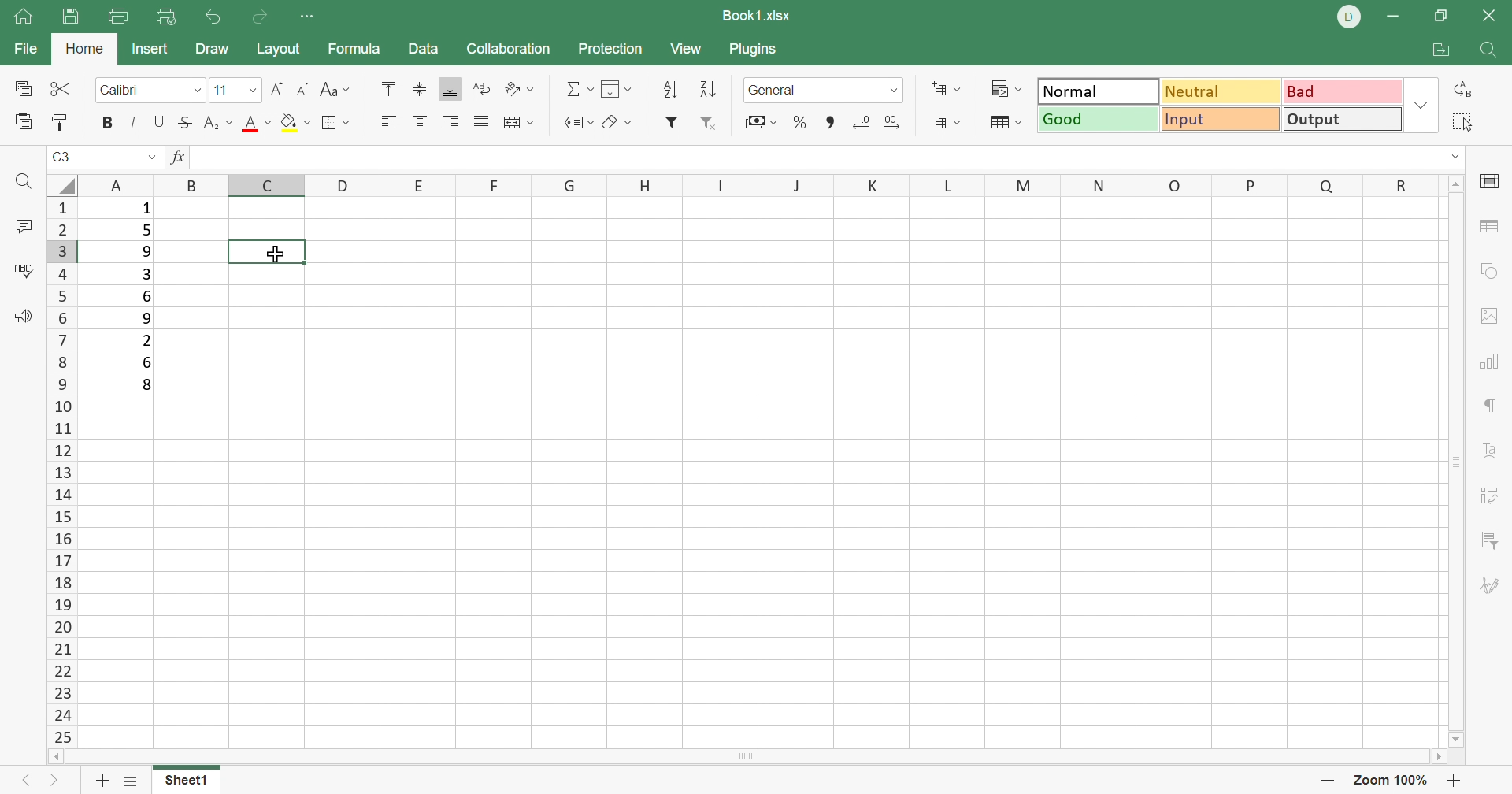  What do you see at coordinates (334, 122) in the screenshot?
I see `Borders` at bounding box center [334, 122].